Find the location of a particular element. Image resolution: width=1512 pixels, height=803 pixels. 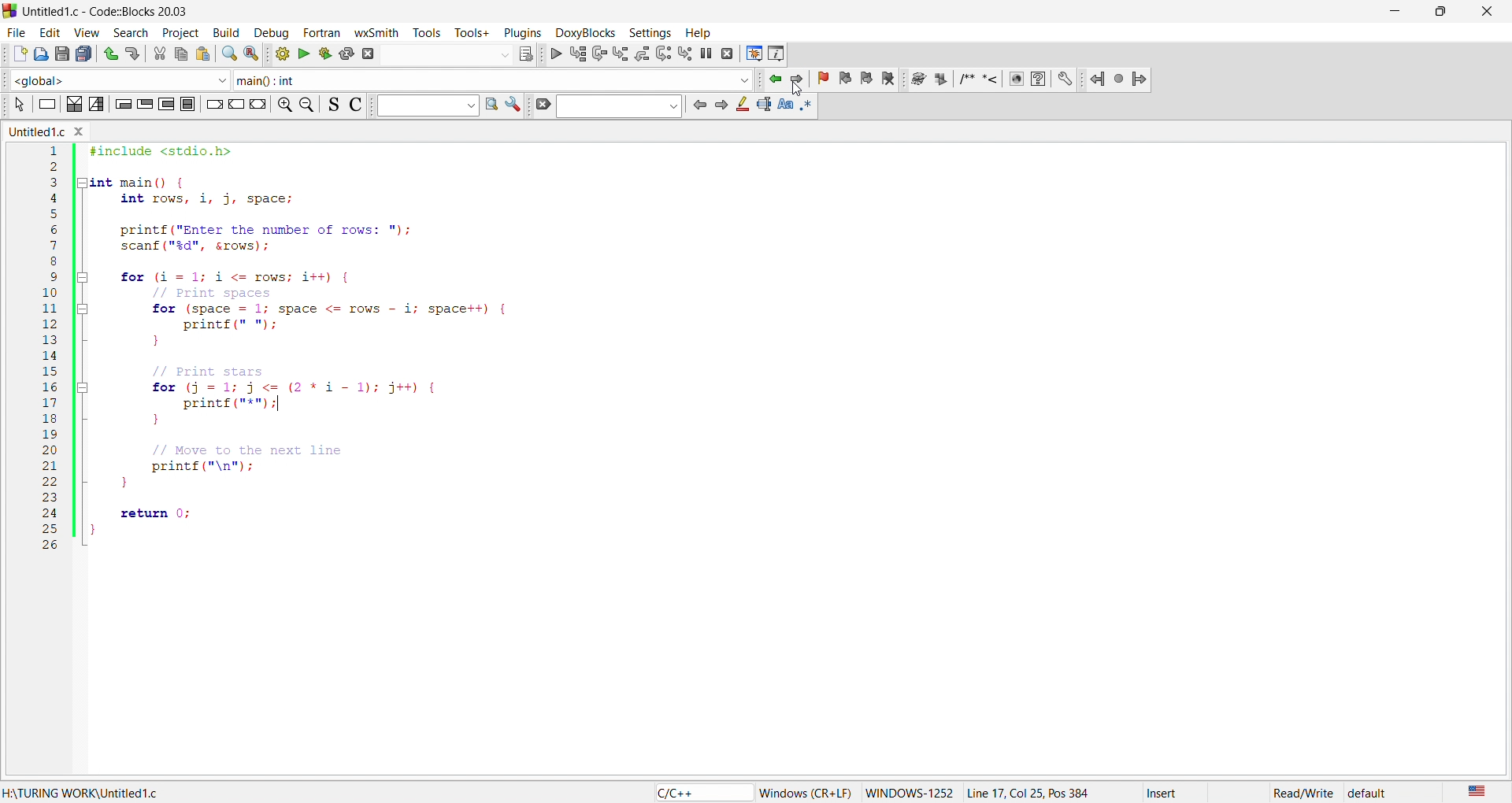

wxsmith is located at coordinates (378, 31).